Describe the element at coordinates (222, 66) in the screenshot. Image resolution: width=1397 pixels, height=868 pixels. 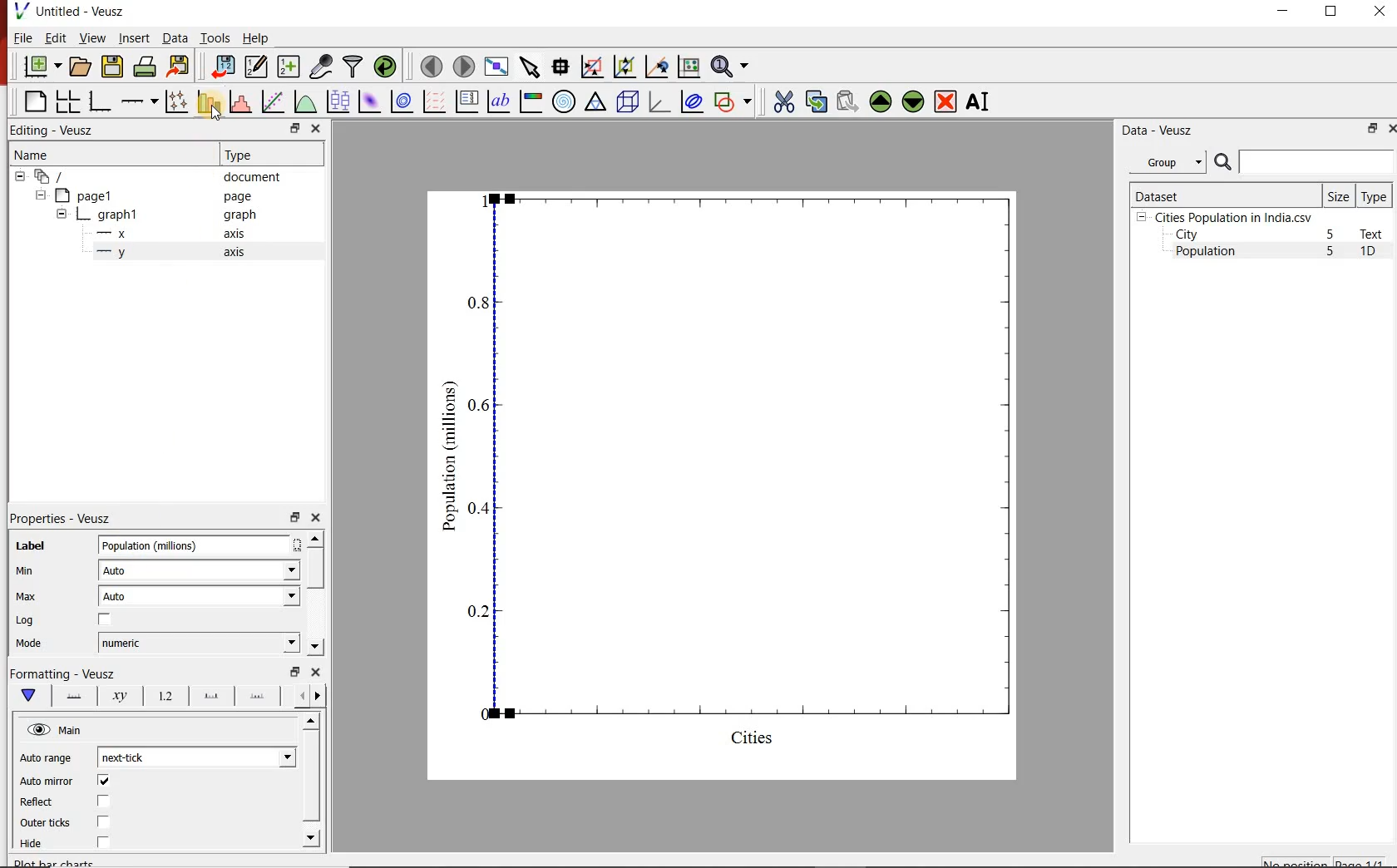
I see `import data into Veusz` at that location.